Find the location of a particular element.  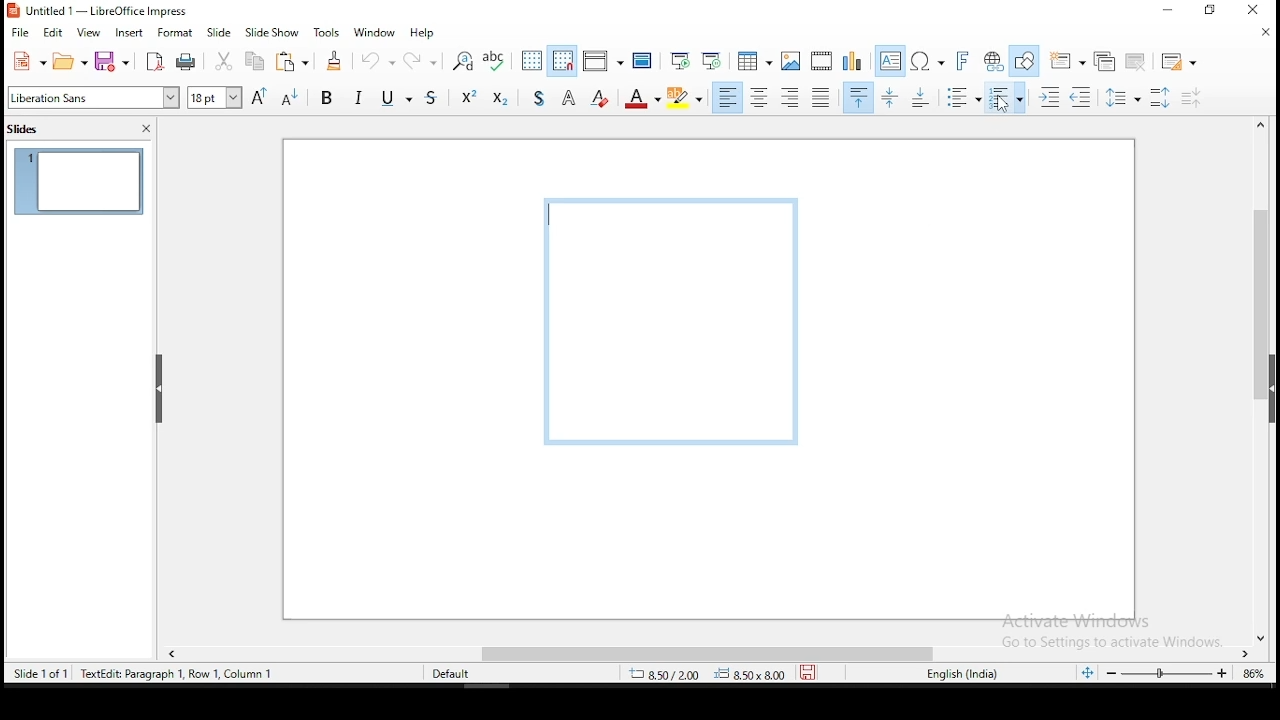

cut is located at coordinates (224, 61).